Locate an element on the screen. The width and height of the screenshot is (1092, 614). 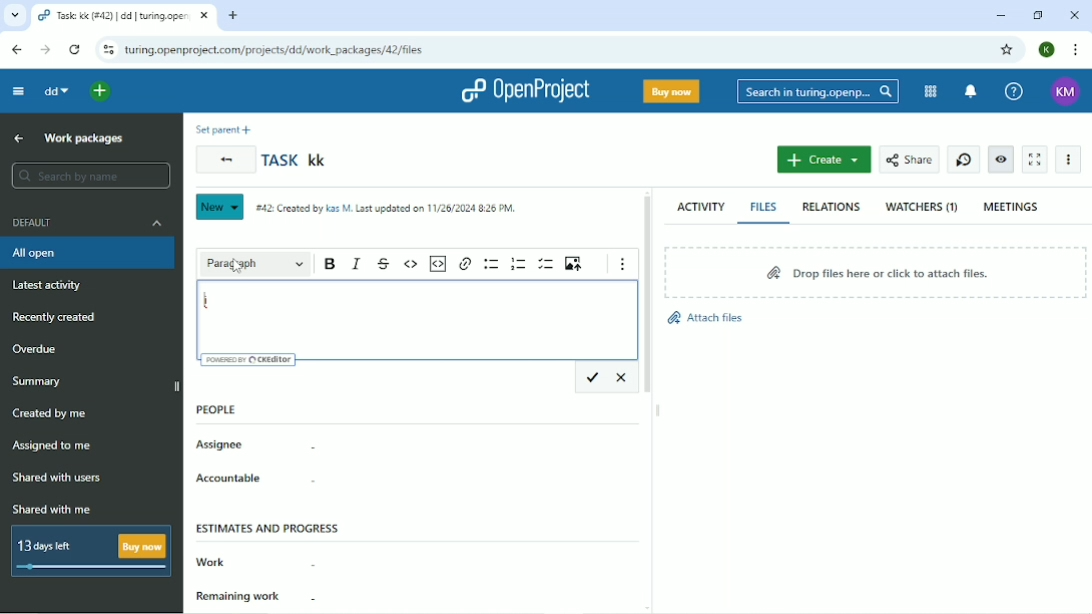
Accountable is located at coordinates (250, 480).